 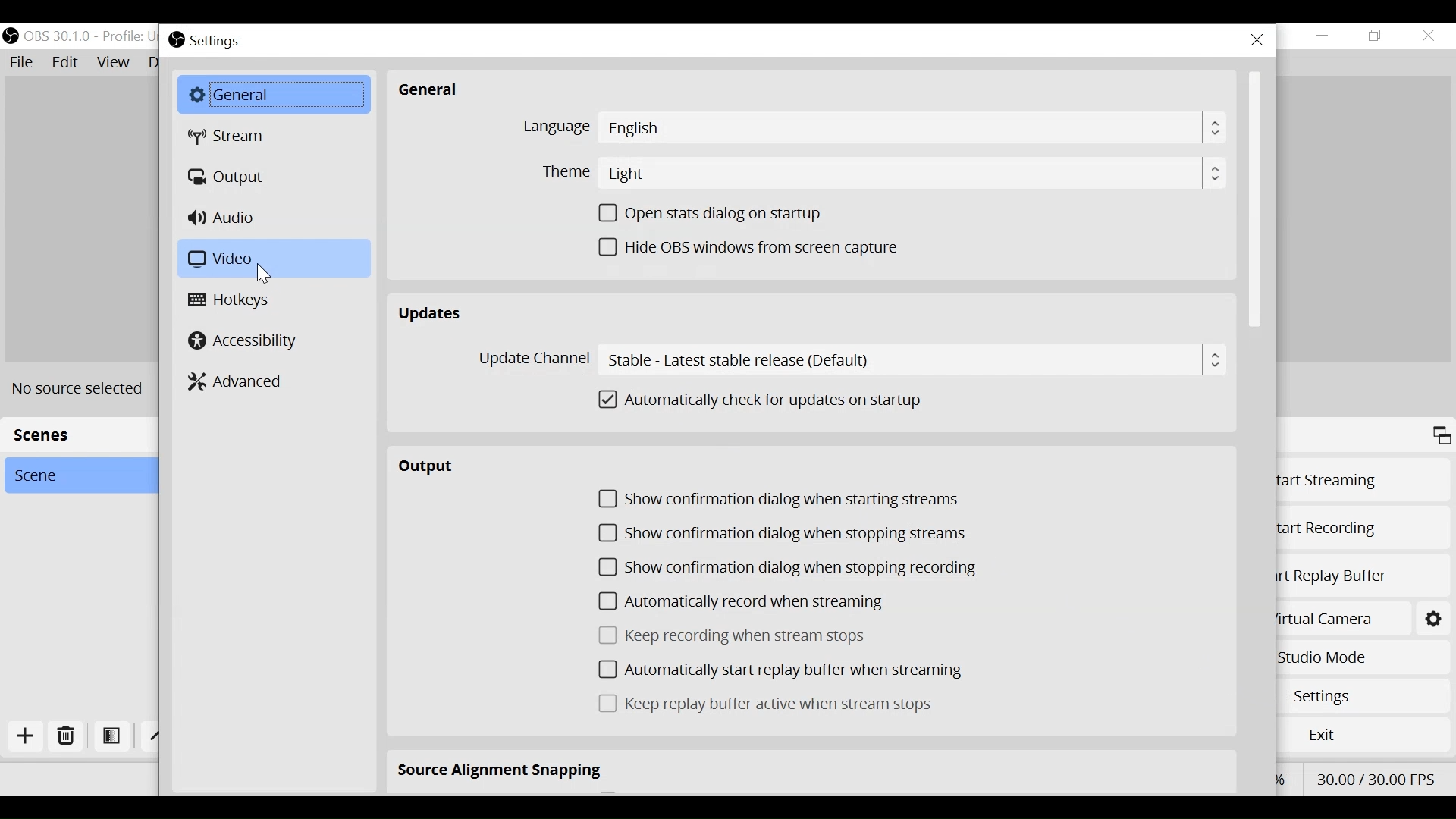 I want to click on Settings, so click(x=1432, y=617).